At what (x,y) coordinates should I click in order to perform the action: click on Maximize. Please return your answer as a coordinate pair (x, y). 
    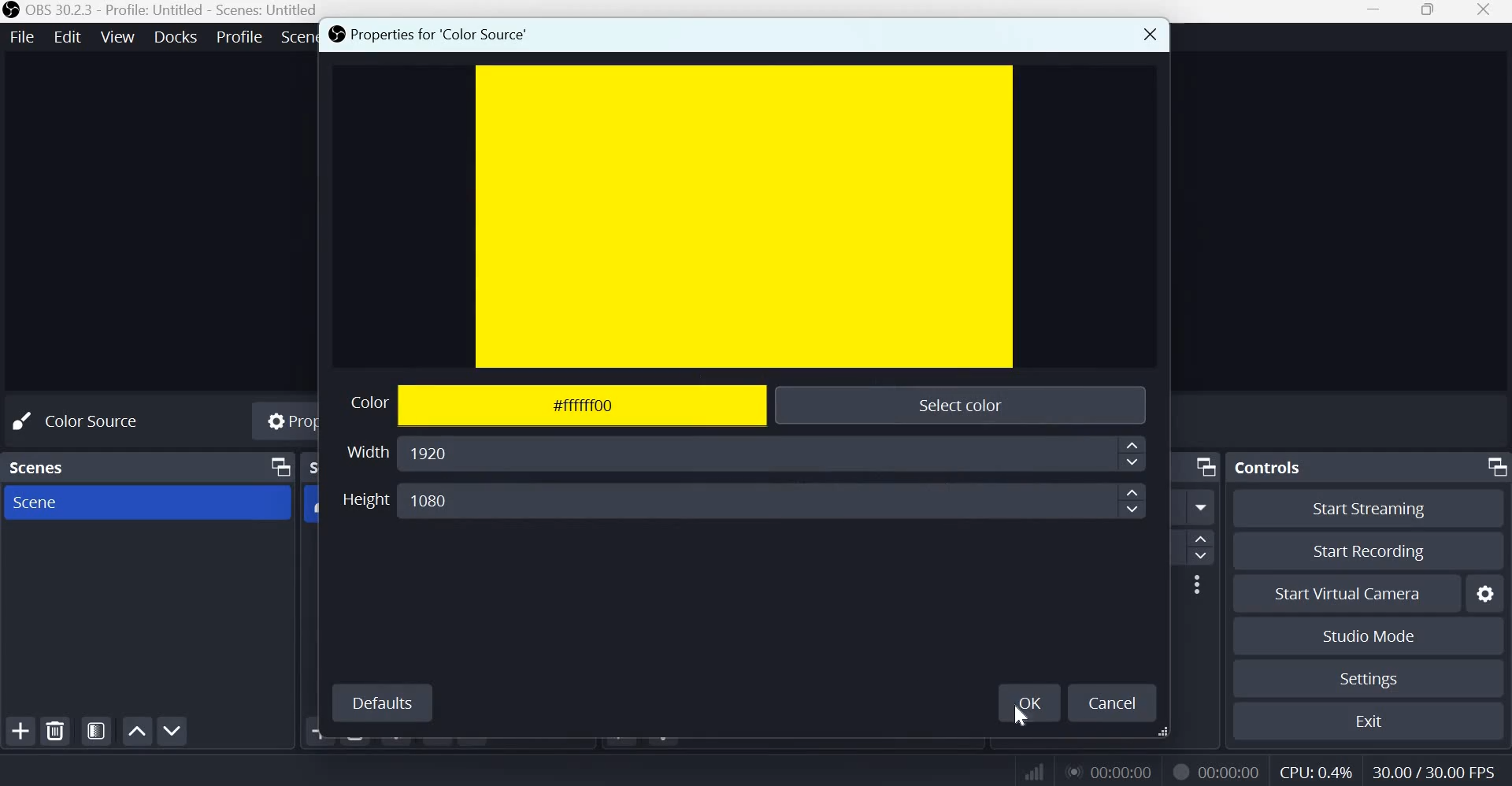
    Looking at the image, I should click on (1428, 11).